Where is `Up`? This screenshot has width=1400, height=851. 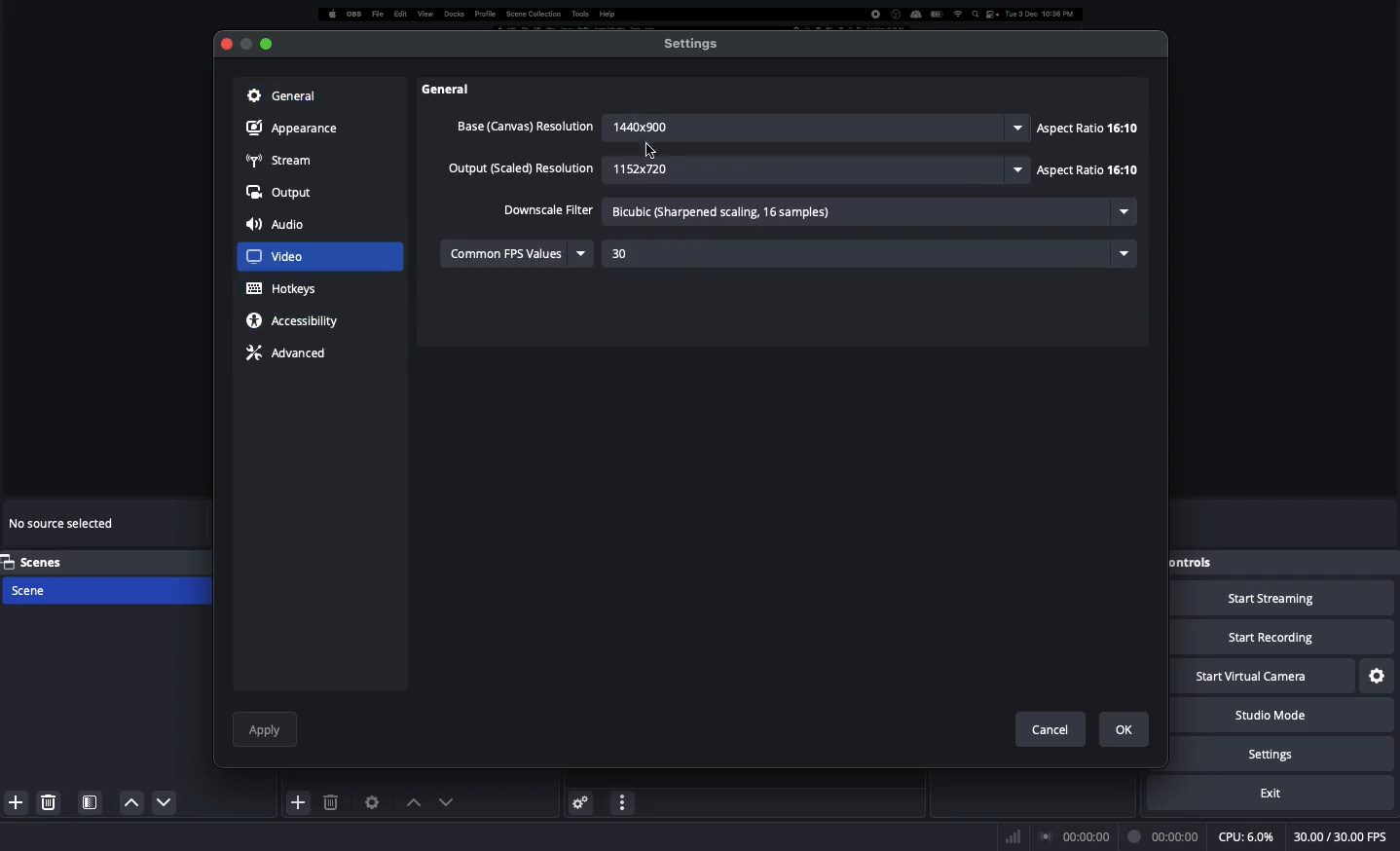 Up is located at coordinates (159, 804).